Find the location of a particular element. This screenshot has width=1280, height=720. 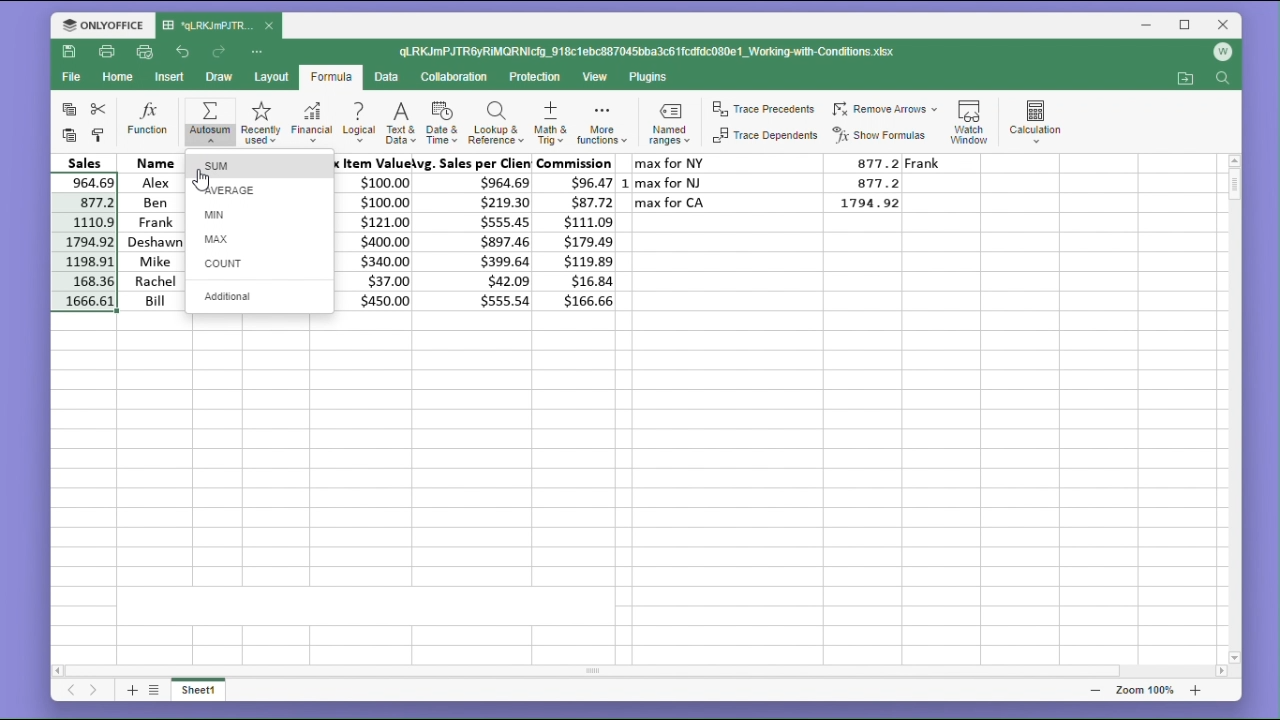

minimize is located at coordinates (1149, 27).